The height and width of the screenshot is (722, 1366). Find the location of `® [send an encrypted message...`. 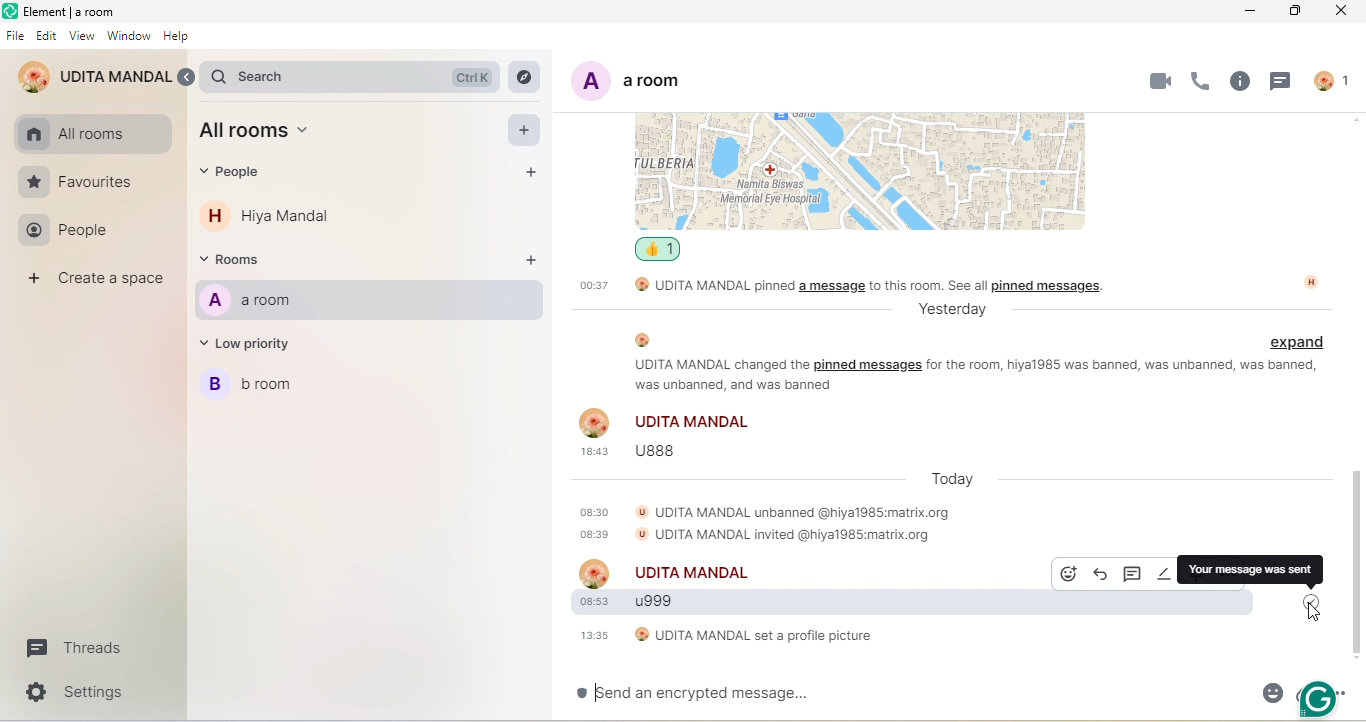

® [send an encrypted message... is located at coordinates (711, 694).